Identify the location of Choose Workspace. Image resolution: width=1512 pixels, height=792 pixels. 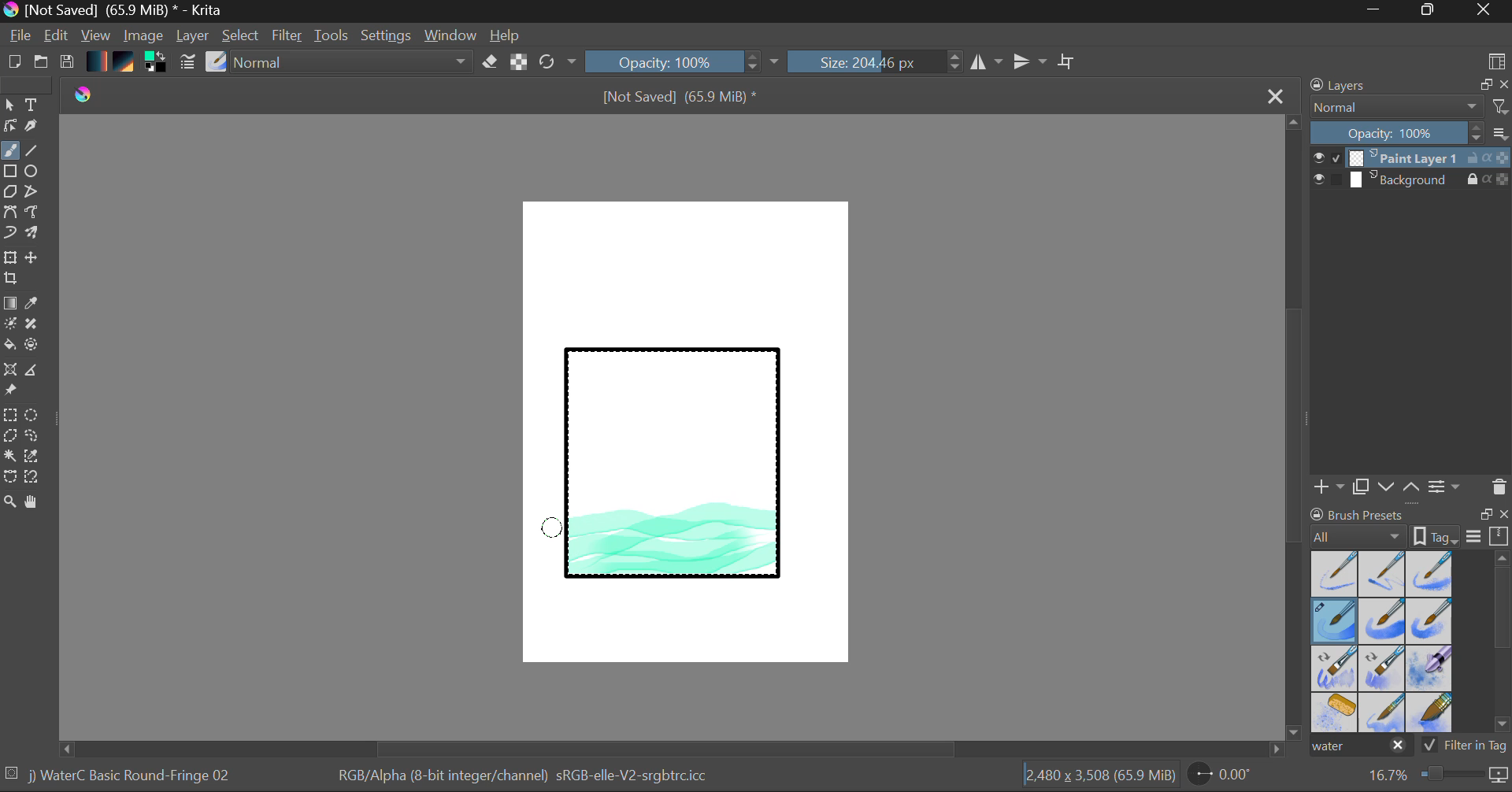
(1496, 60).